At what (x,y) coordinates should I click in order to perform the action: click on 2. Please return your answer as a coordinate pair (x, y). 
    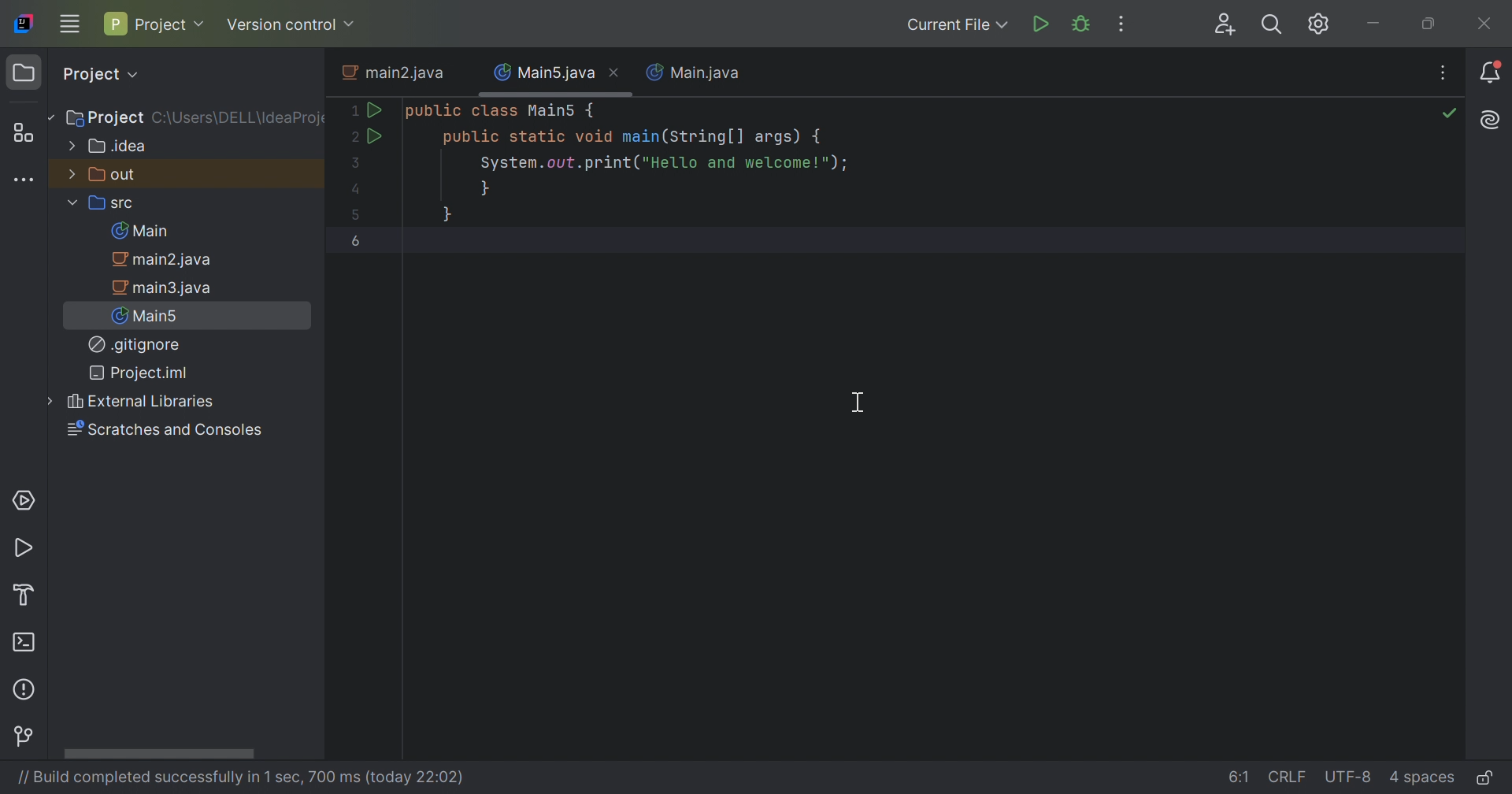
    Looking at the image, I should click on (350, 137).